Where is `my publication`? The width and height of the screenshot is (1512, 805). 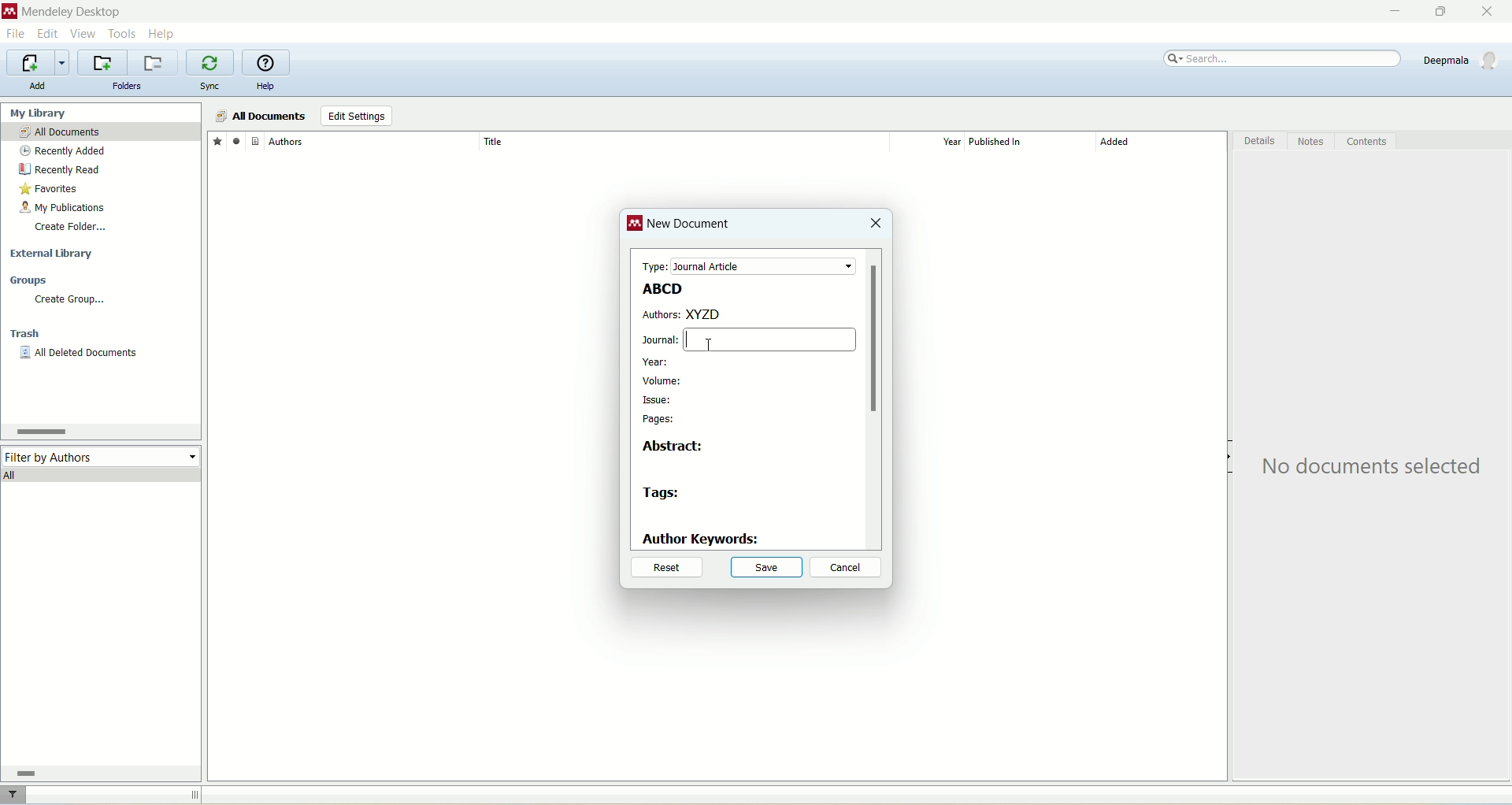
my publication is located at coordinates (65, 209).